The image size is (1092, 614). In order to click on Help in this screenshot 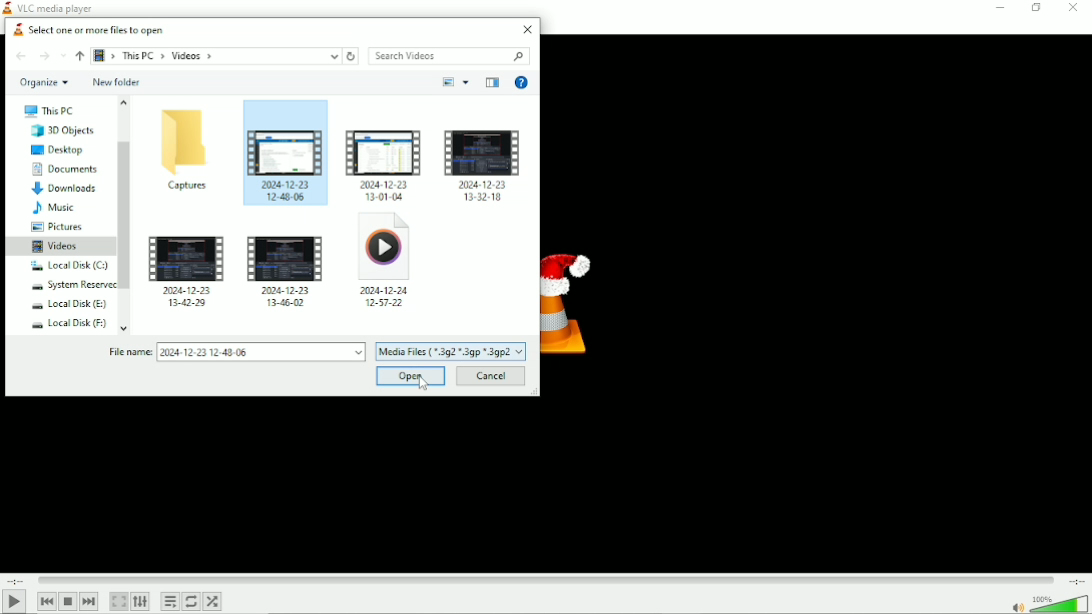, I will do `click(521, 83)`.